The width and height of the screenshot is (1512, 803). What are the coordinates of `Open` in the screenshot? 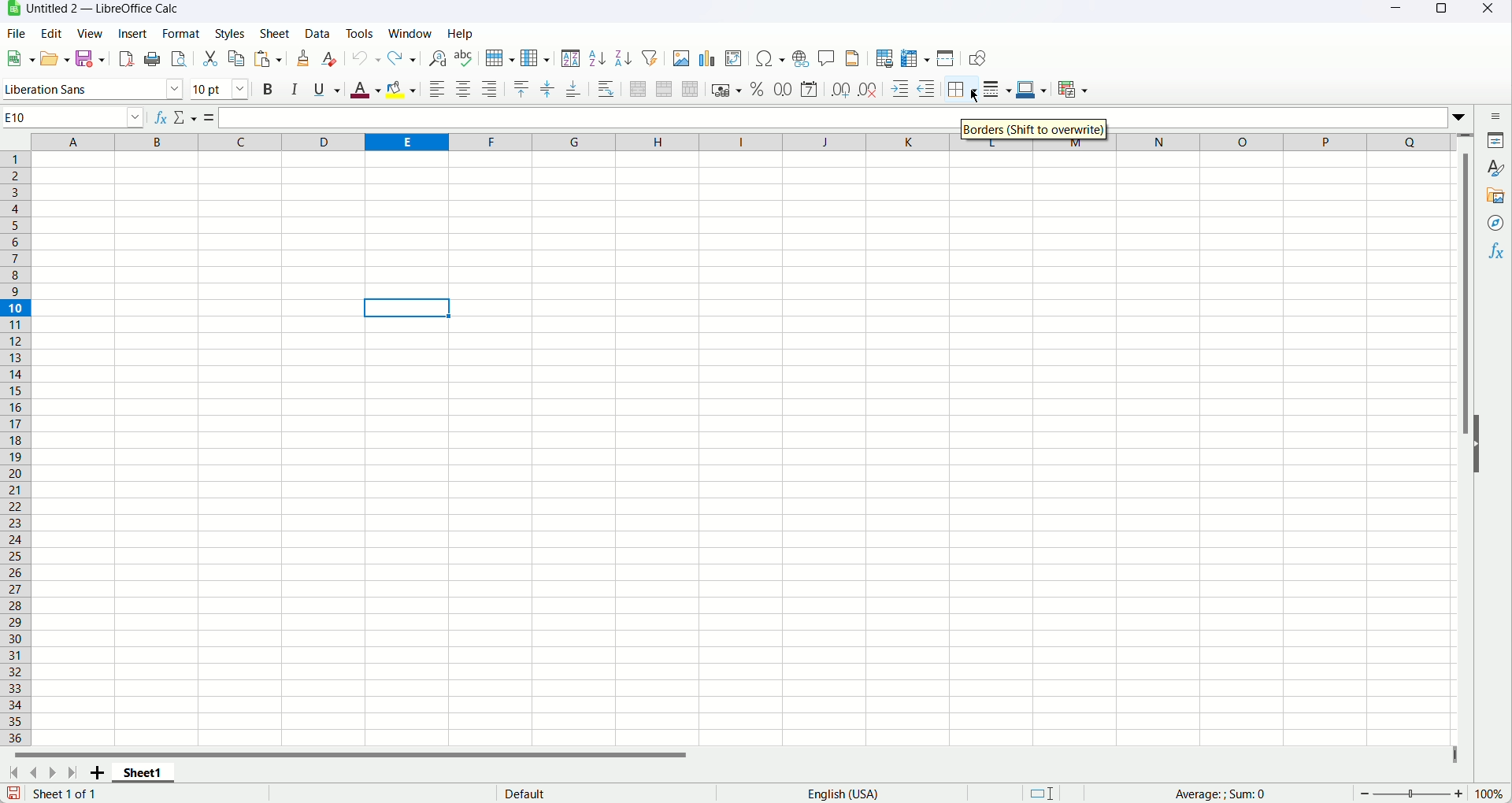 It's located at (56, 59).